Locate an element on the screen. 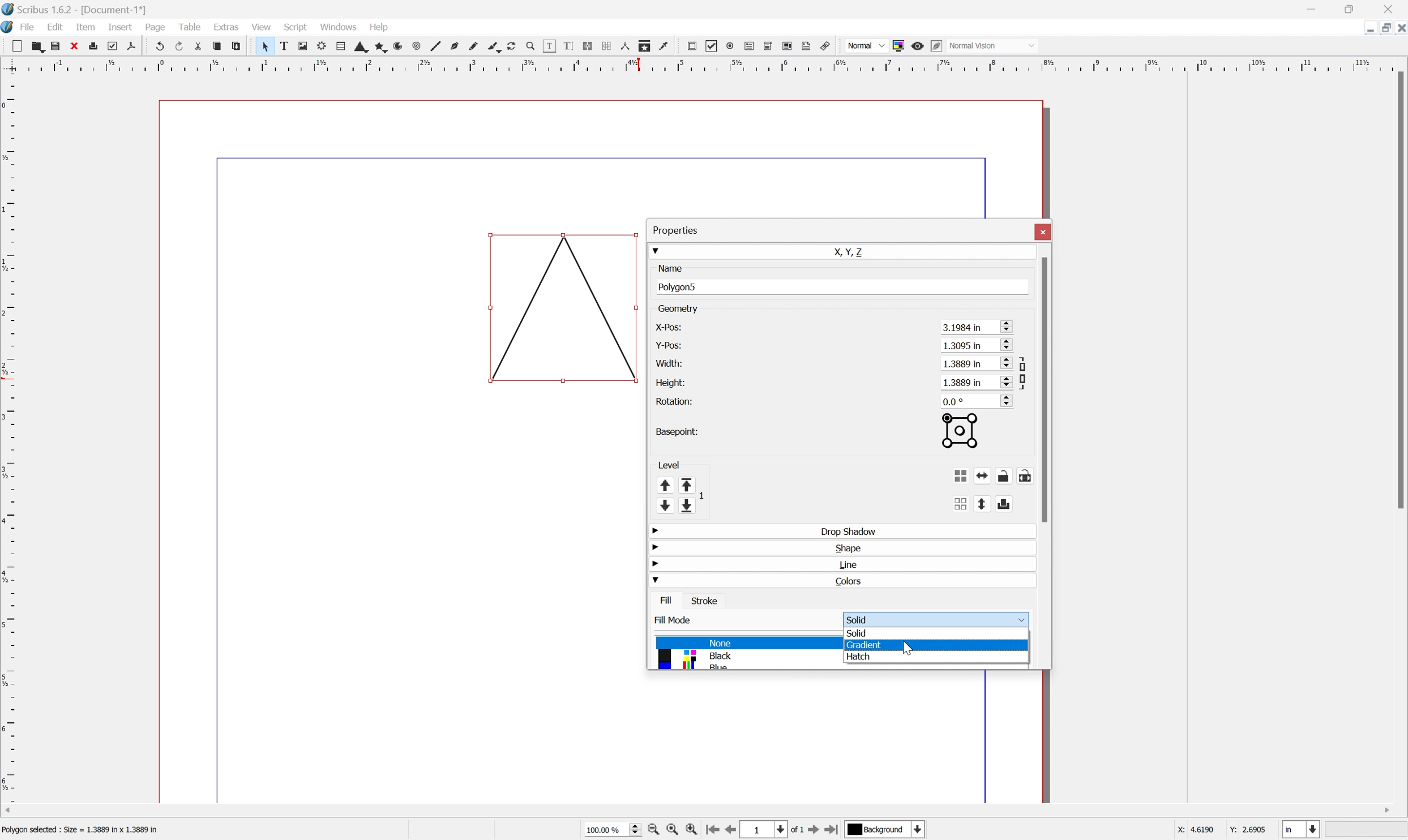 The image size is (1408, 840). PDF list box is located at coordinates (788, 46).